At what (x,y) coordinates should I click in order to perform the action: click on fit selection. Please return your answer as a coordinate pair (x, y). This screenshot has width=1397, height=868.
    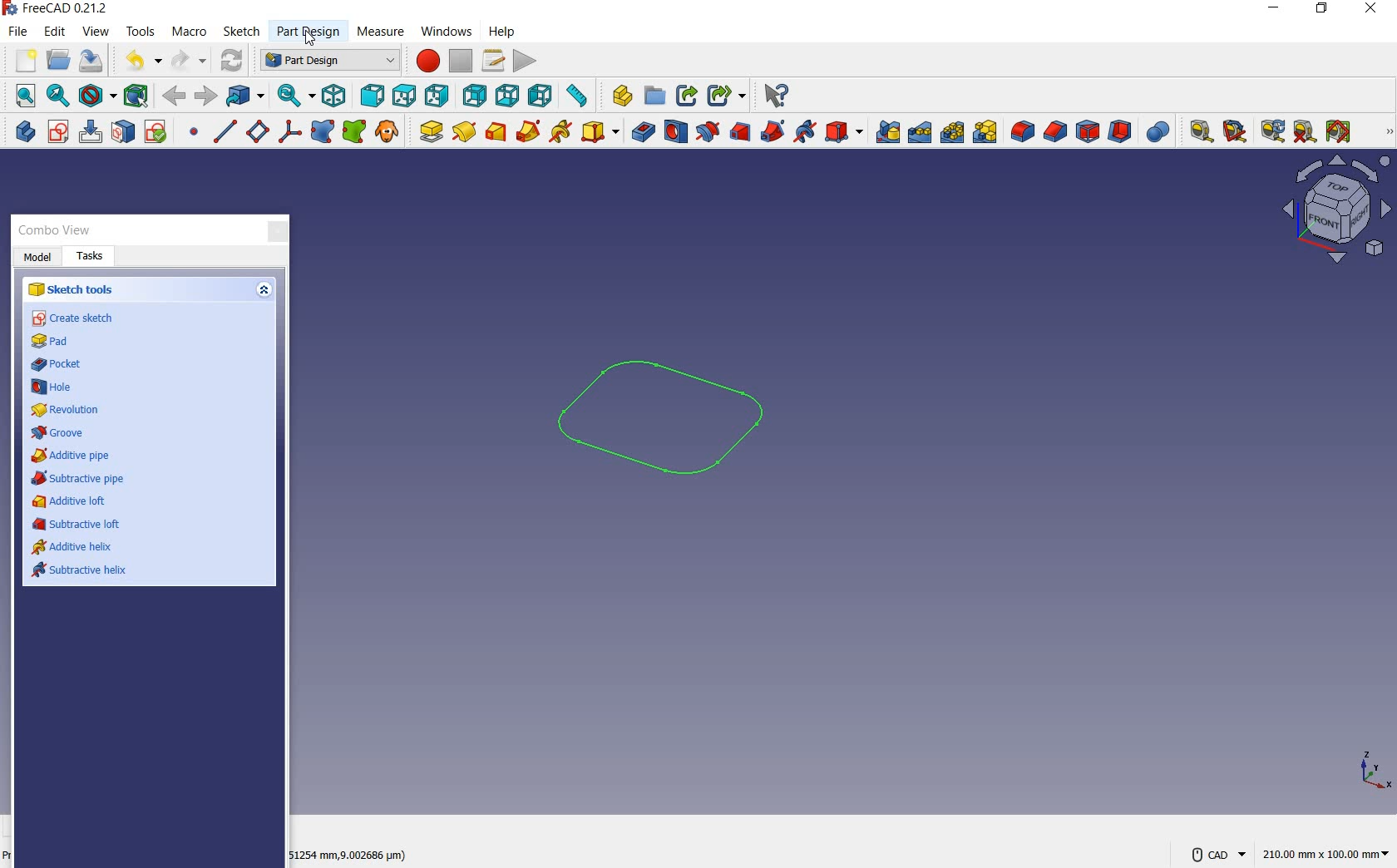
    Looking at the image, I should click on (58, 97).